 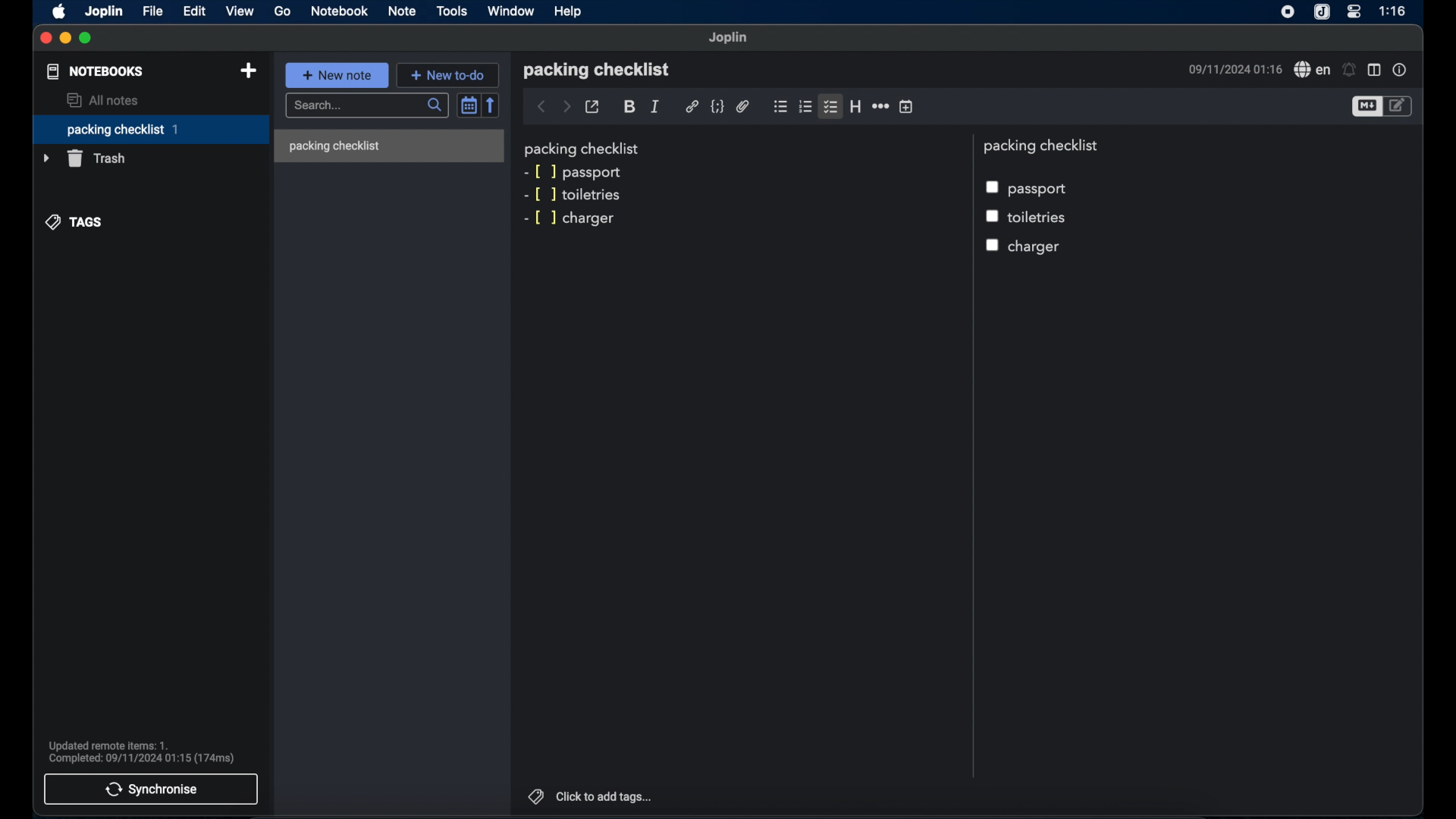 I want to click on window, so click(x=510, y=11).